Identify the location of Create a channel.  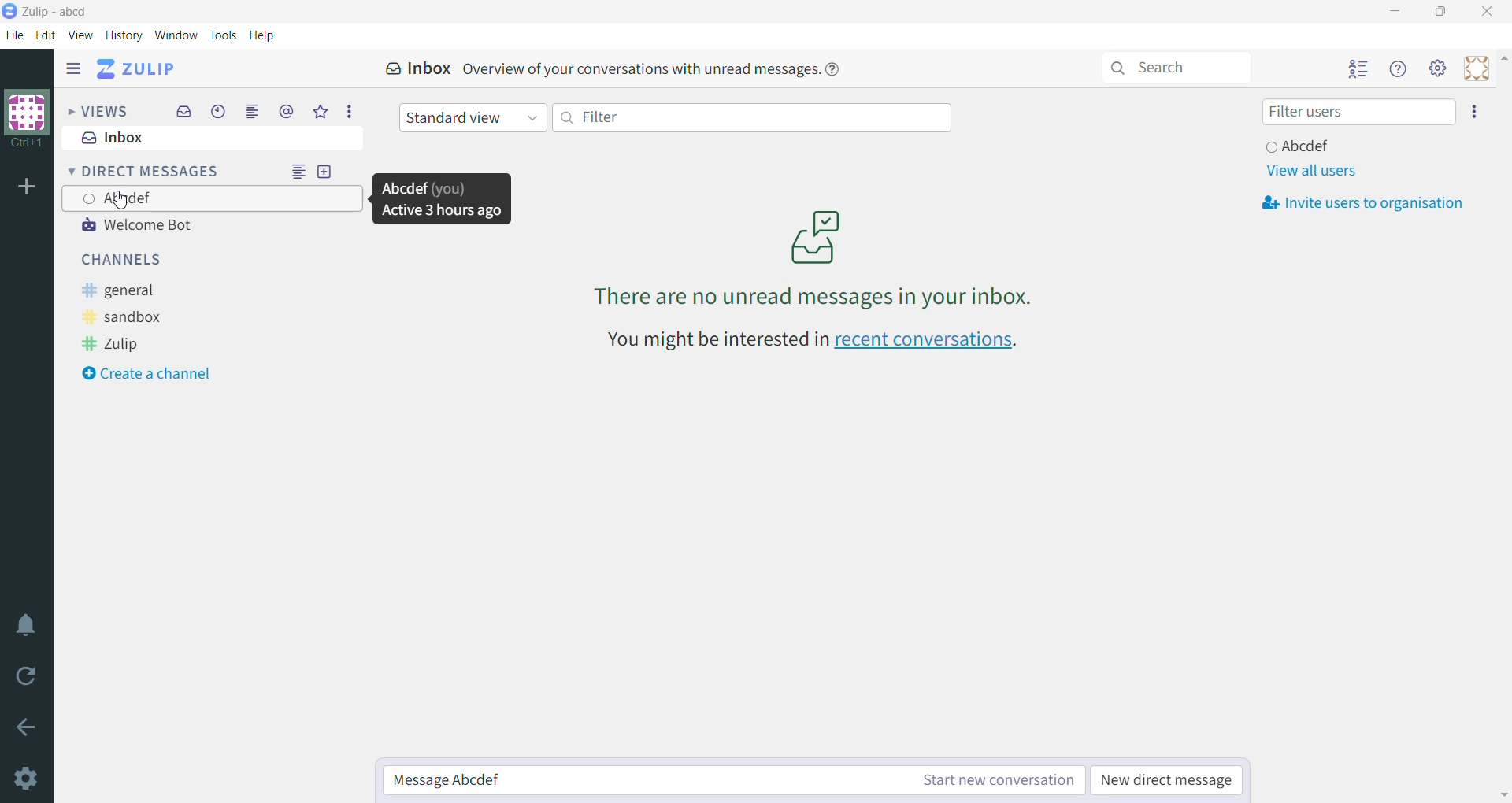
(159, 373).